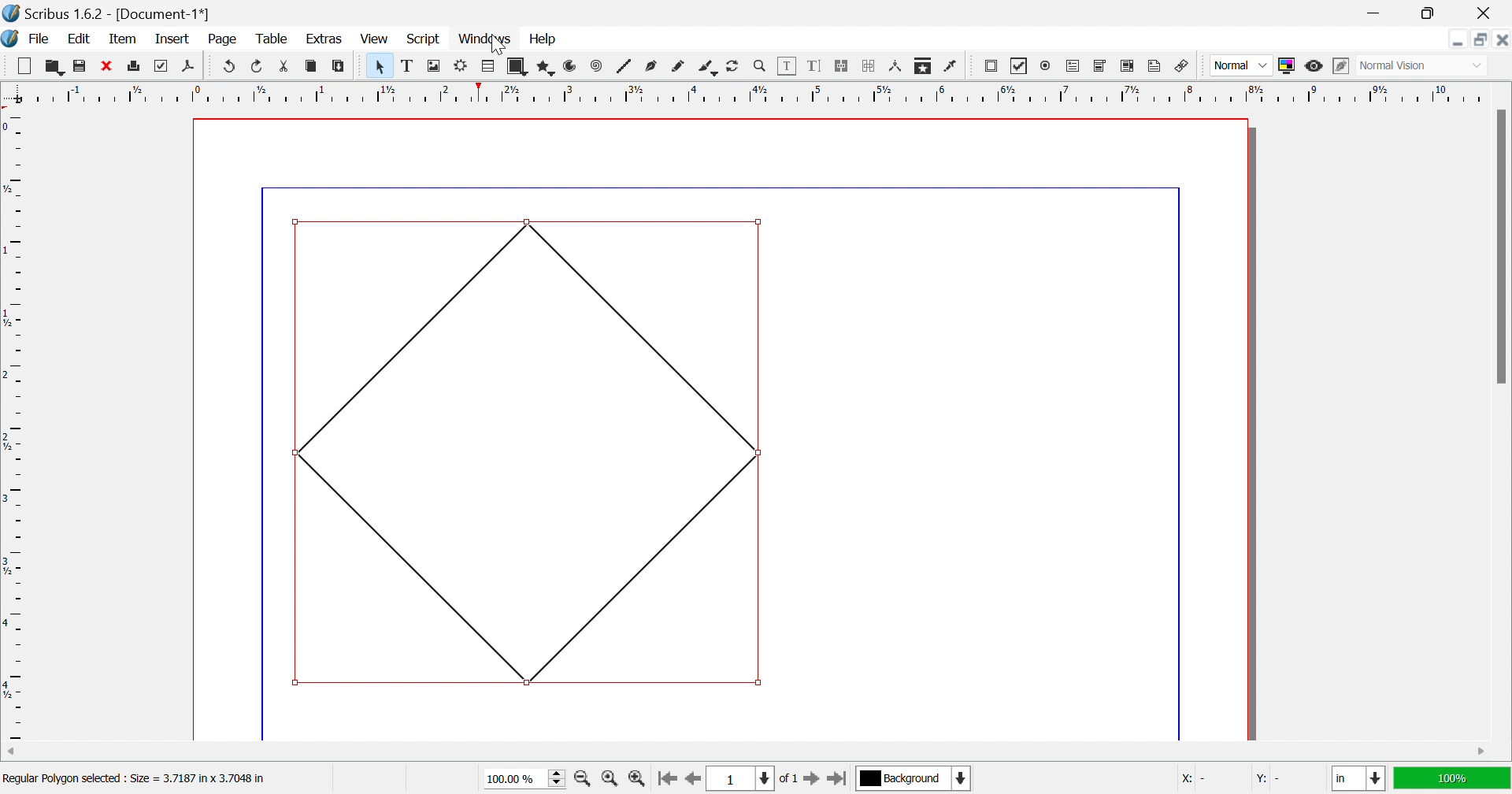  What do you see at coordinates (1272, 779) in the screenshot?
I see `y: -` at bounding box center [1272, 779].